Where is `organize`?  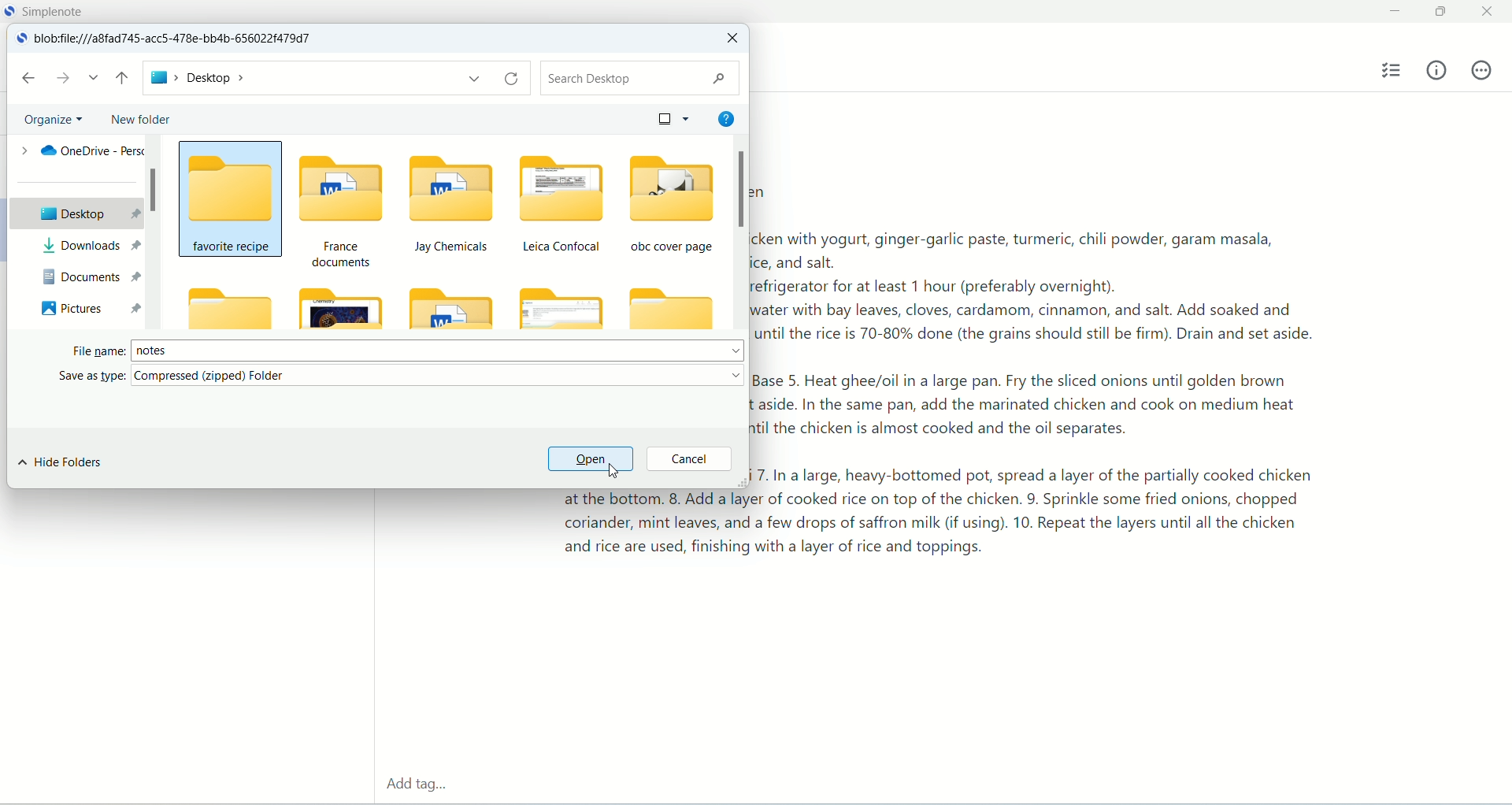 organize is located at coordinates (55, 118).